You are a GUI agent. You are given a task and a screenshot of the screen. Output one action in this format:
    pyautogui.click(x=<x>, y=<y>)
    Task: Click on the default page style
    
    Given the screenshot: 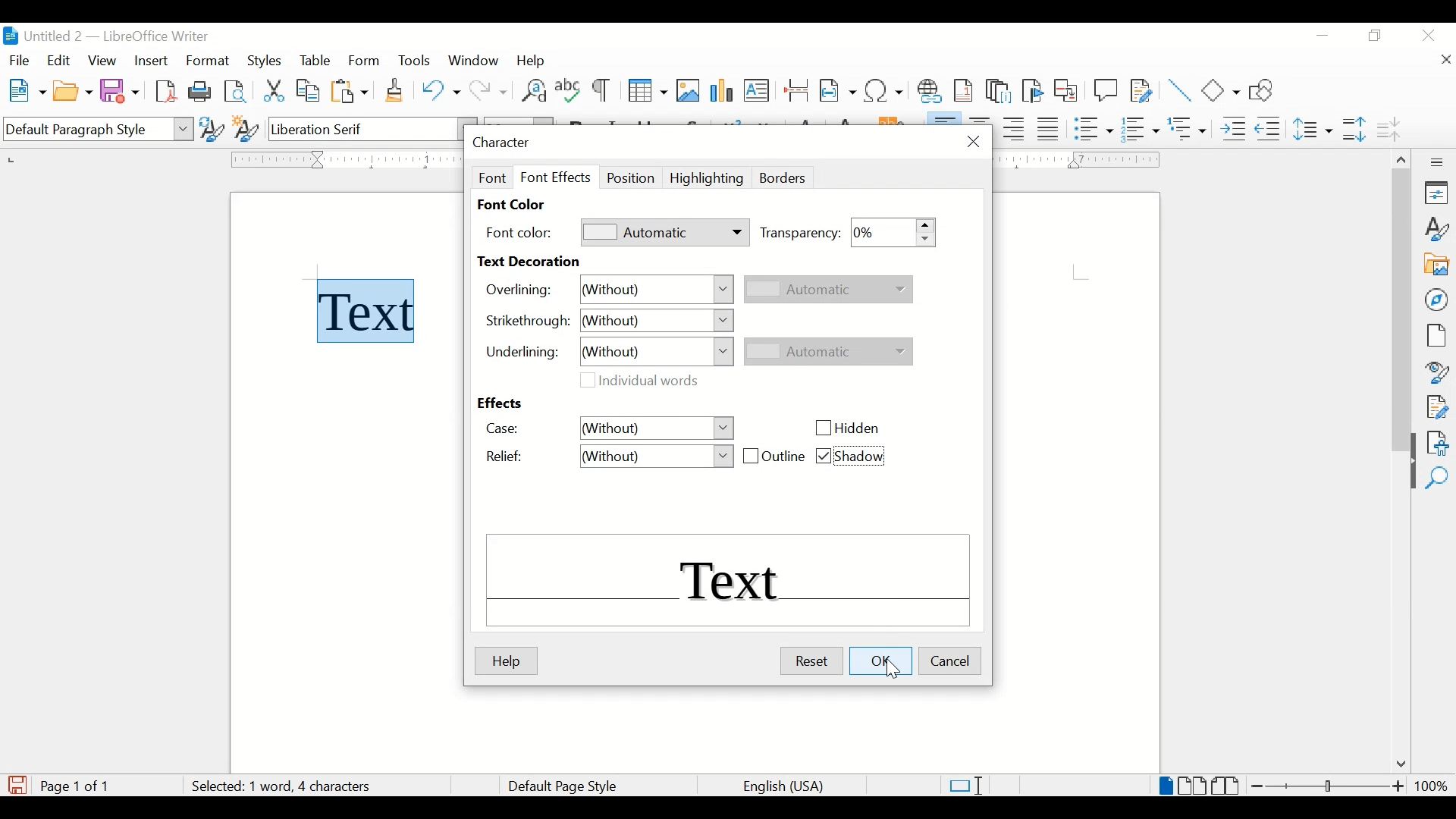 What is the action you would take?
    pyautogui.click(x=560, y=786)
    